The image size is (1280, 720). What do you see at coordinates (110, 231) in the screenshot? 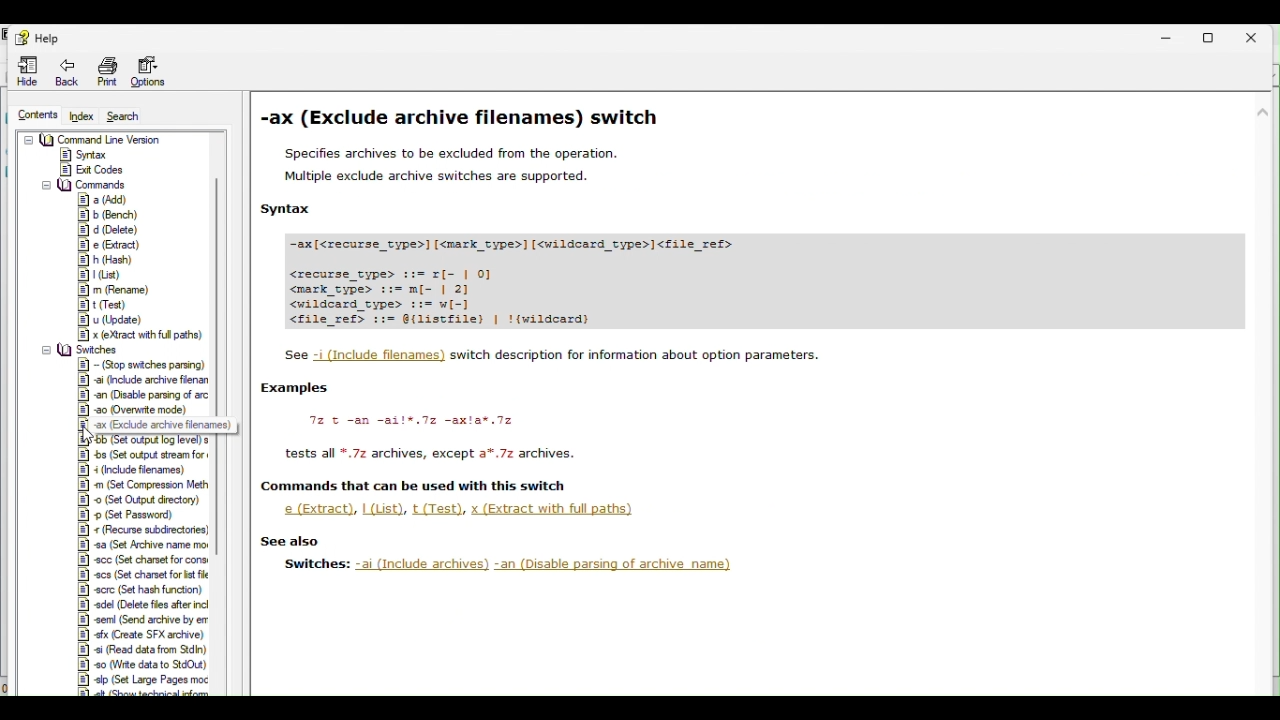
I see `&] d (Delete)` at bounding box center [110, 231].